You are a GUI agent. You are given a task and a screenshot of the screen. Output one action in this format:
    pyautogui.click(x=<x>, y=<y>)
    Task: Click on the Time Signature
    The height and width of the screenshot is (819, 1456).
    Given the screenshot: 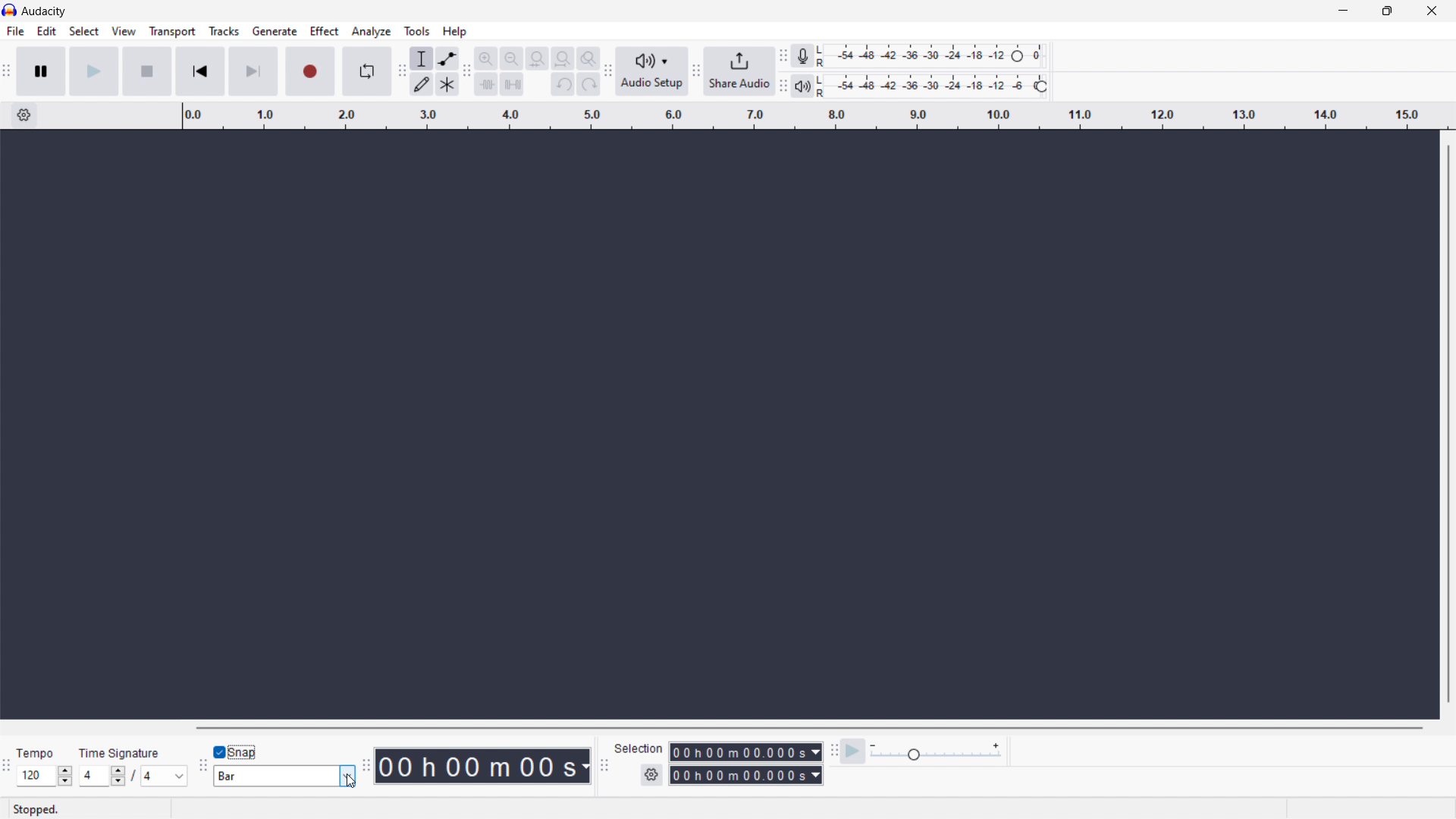 What is the action you would take?
    pyautogui.click(x=116, y=754)
    